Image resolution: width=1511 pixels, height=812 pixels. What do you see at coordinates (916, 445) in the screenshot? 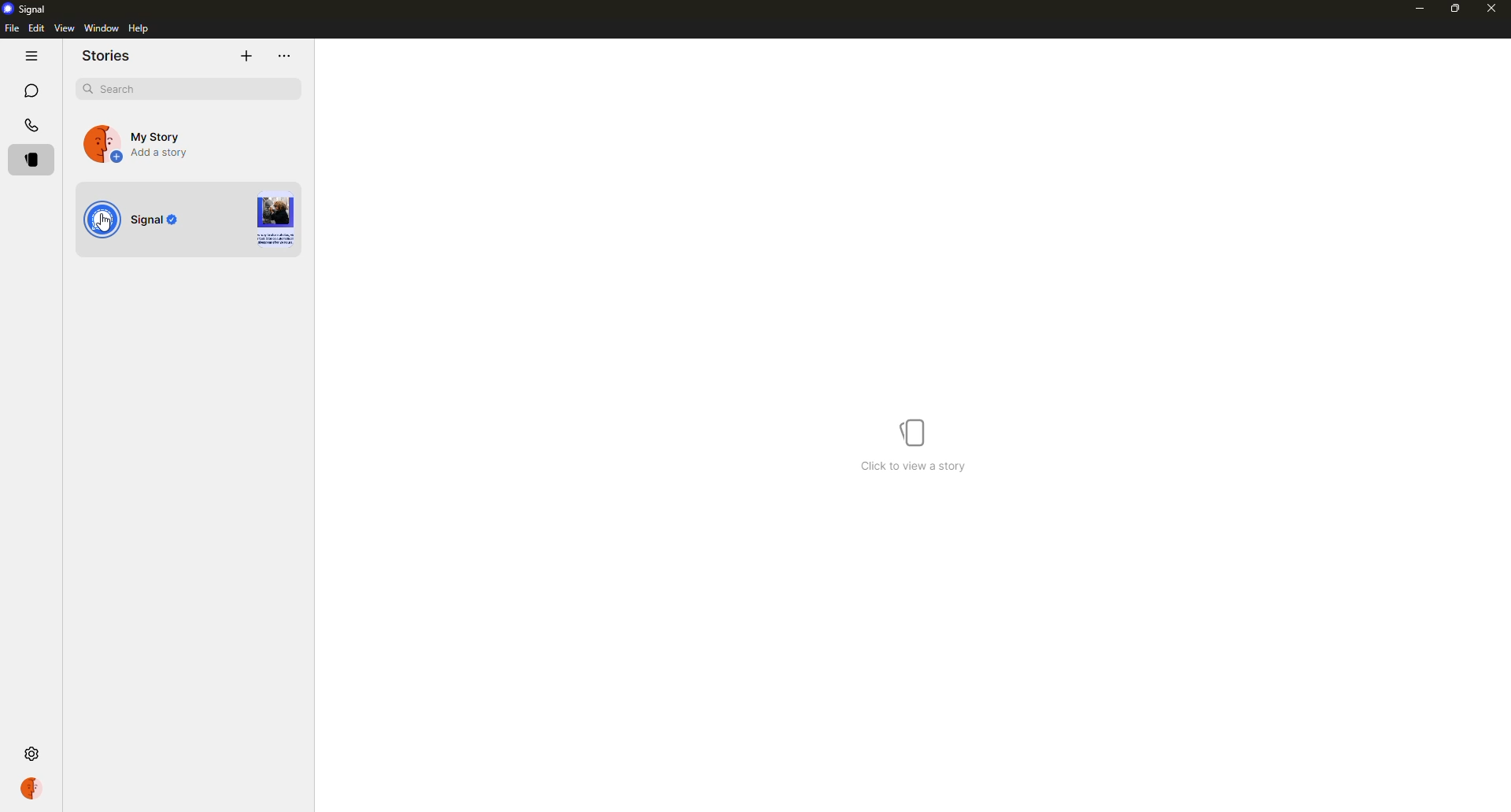
I see `click to view a story` at bounding box center [916, 445].